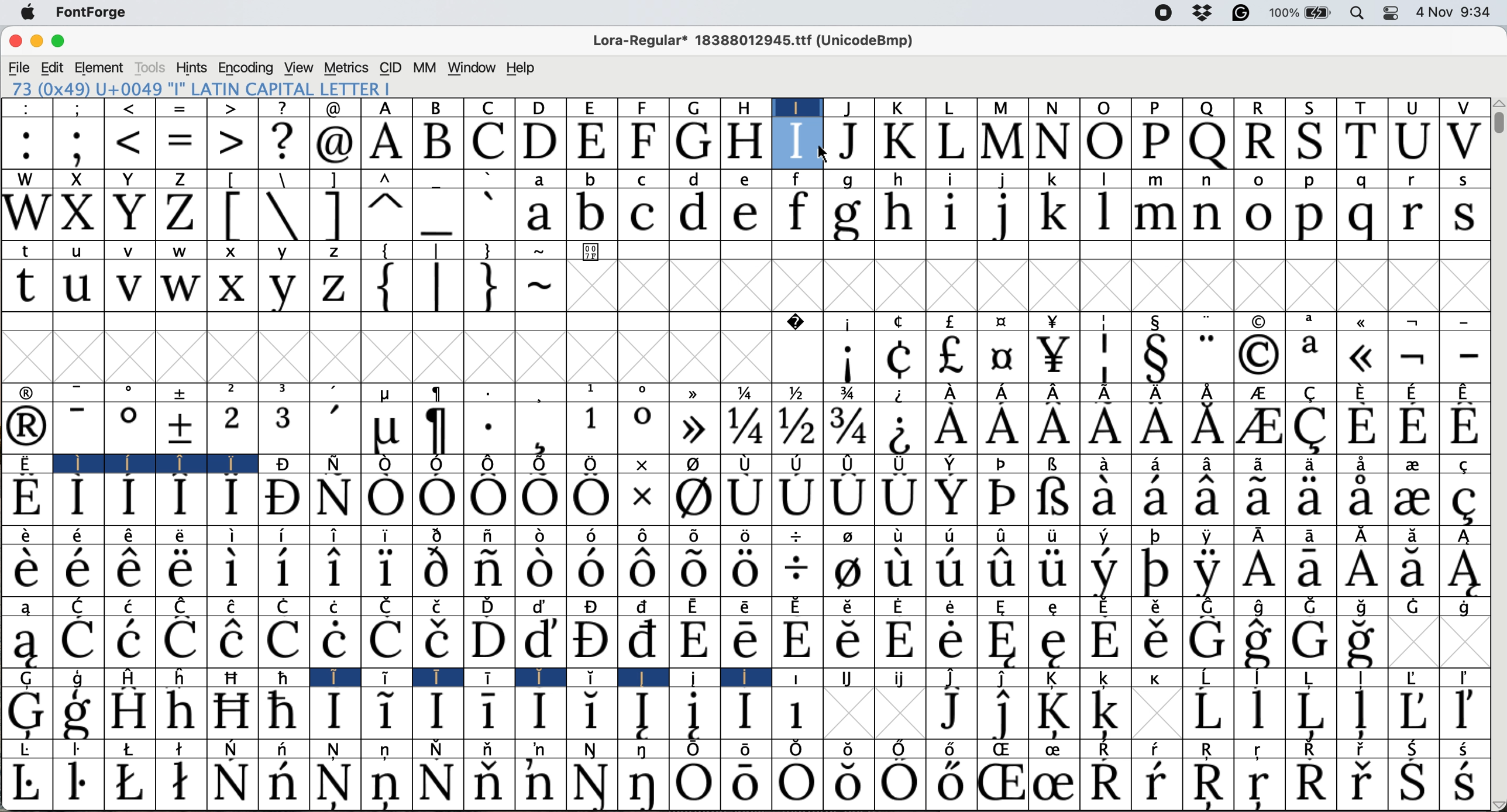 The height and width of the screenshot is (812, 1507). I want to click on symbol, so click(1054, 322).